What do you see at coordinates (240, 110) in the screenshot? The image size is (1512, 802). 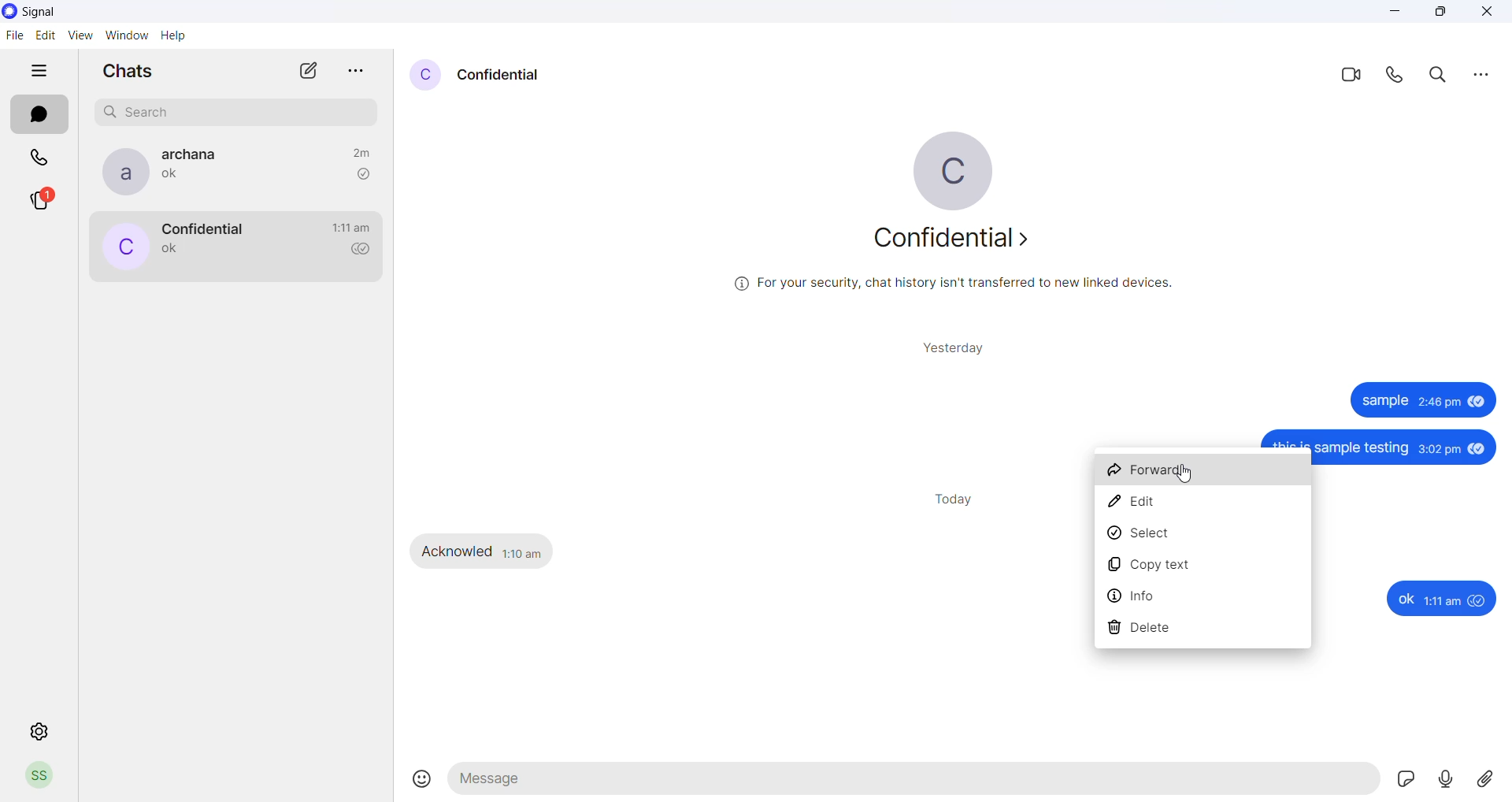 I see `search box` at bounding box center [240, 110].